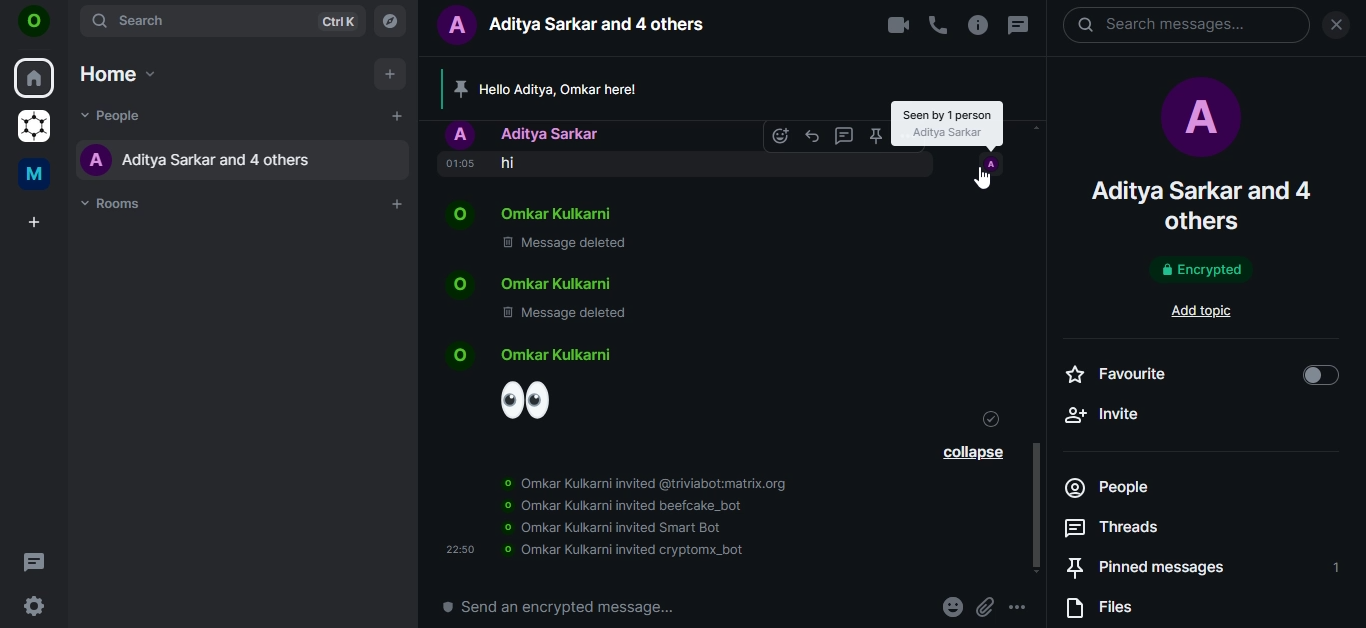 This screenshot has height=628, width=1366. I want to click on people, so click(113, 117).